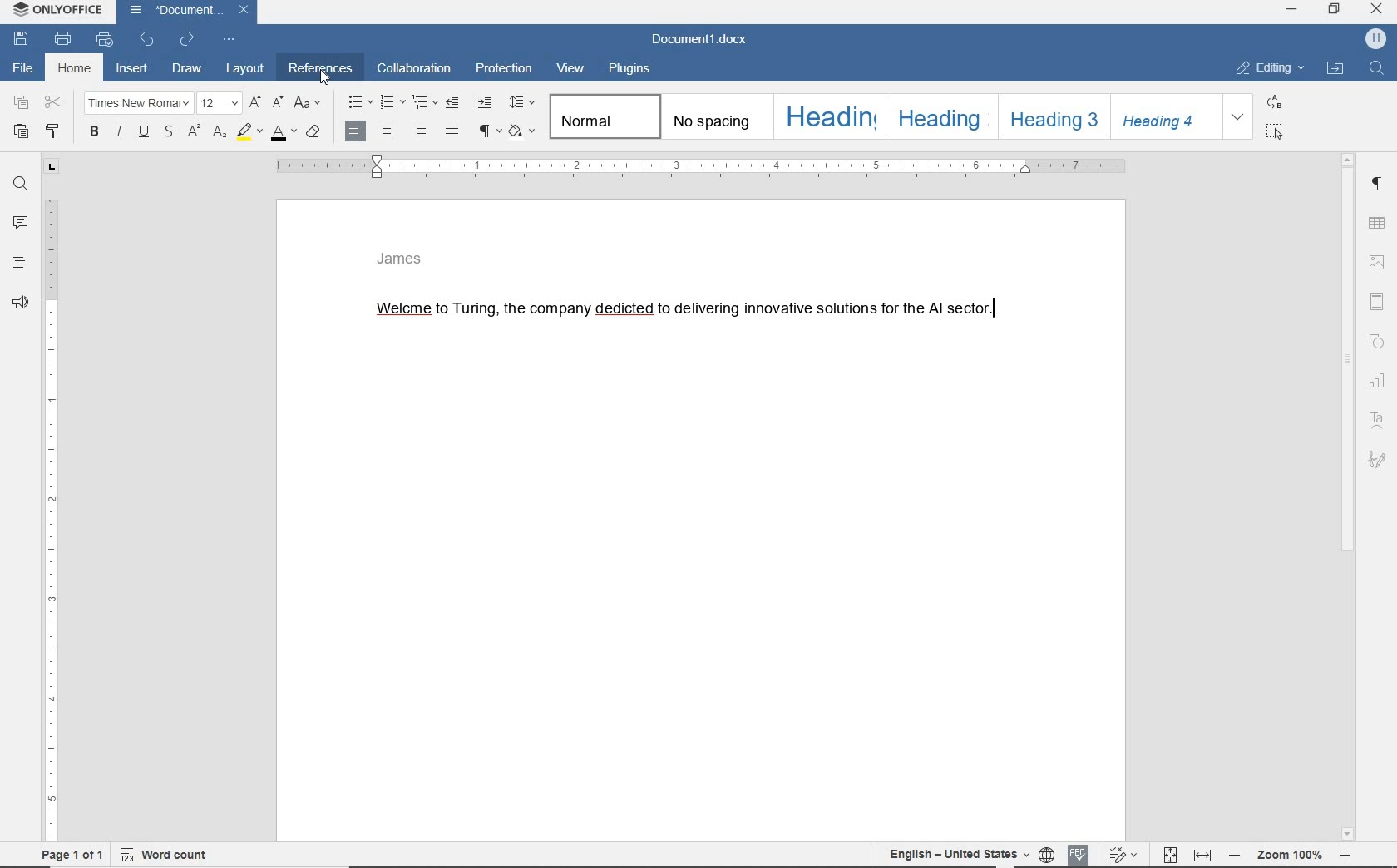 The width and height of the screenshot is (1397, 868). What do you see at coordinates (355, 131) in the screenshot?
I see `align left` at bounding box center [355, 131].